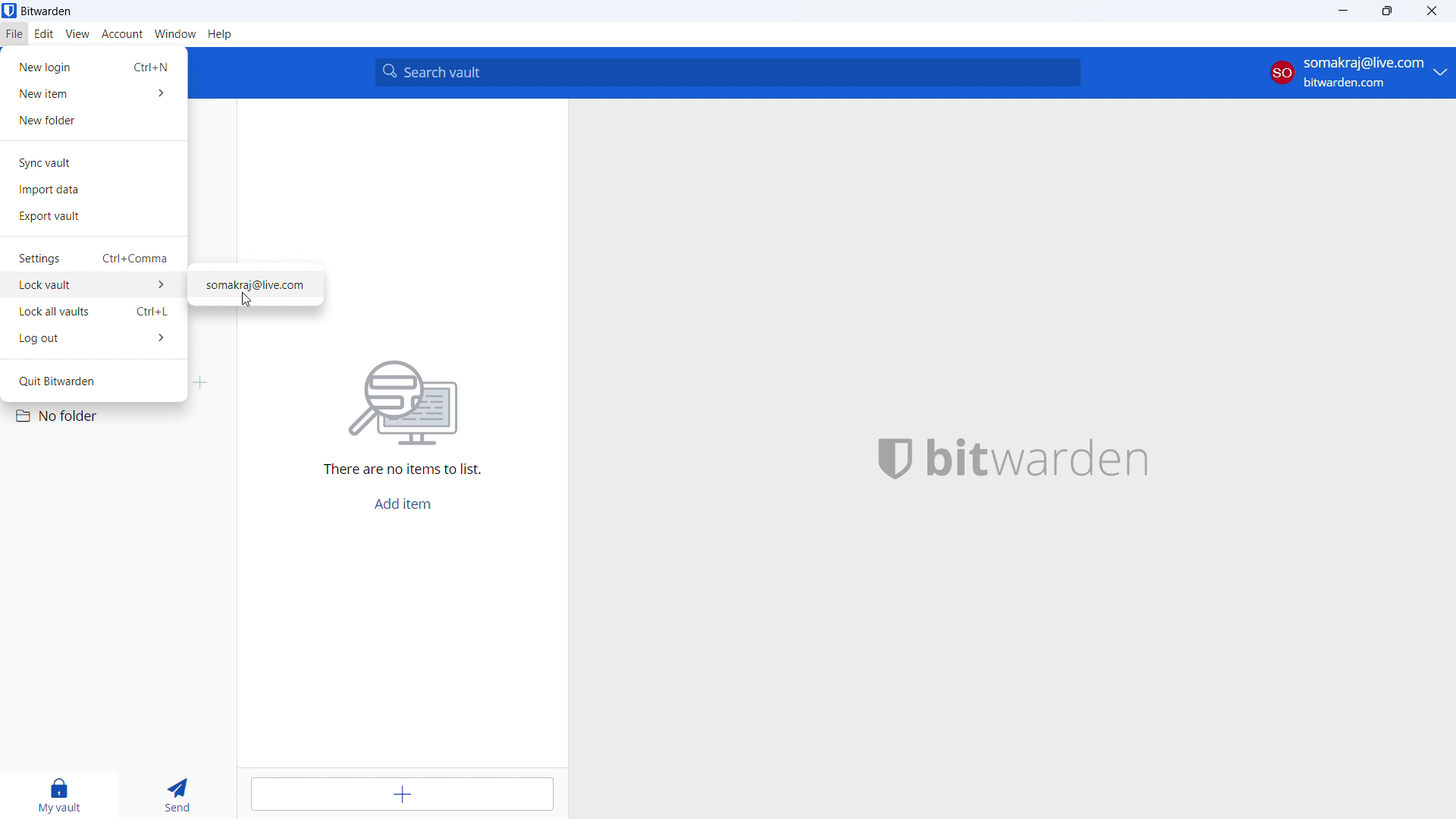 Image resolution: width=1456 pixels, height=819 pixels. What do you see at coordinates (1346, 11) in the screenshot?
I see `minimize` at bounding box center [1346, 11].